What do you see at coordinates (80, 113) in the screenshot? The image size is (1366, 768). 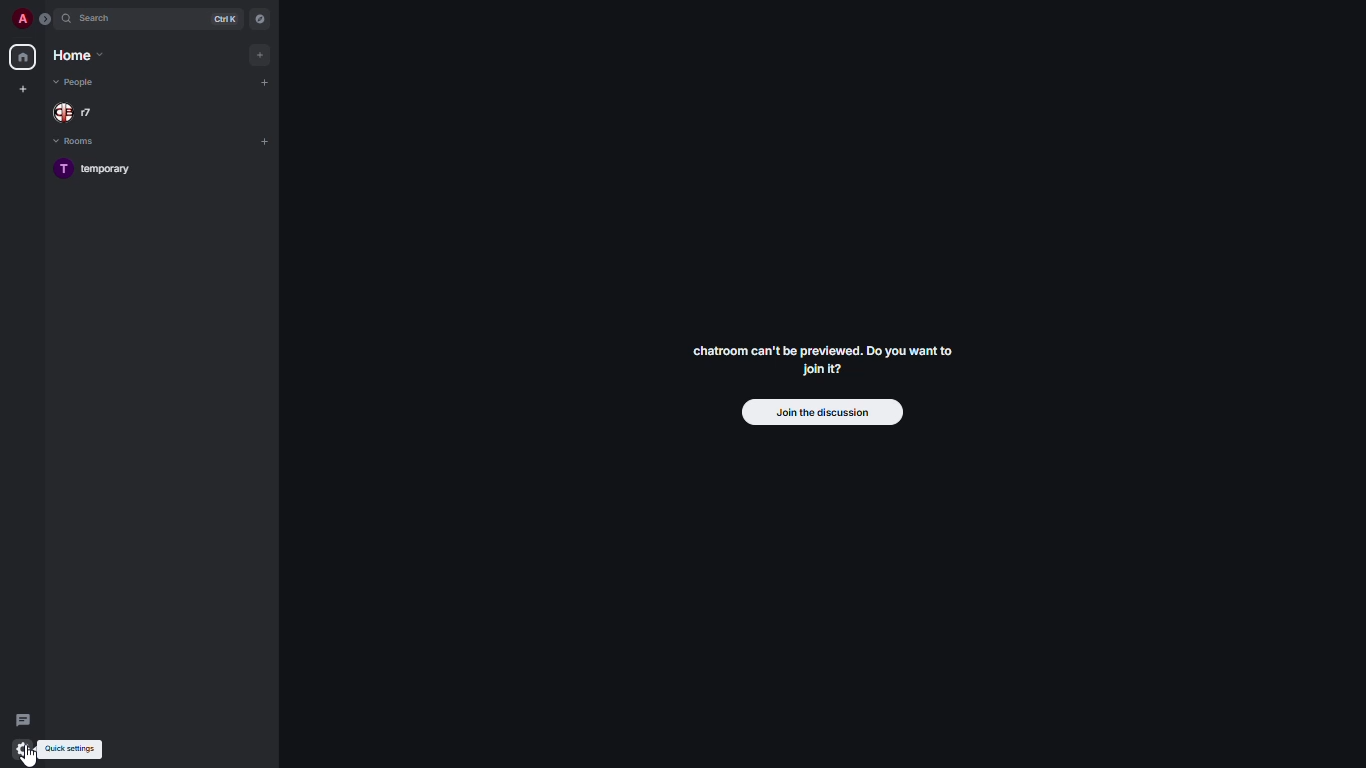 I see `people` at bounding box center [80, 113].